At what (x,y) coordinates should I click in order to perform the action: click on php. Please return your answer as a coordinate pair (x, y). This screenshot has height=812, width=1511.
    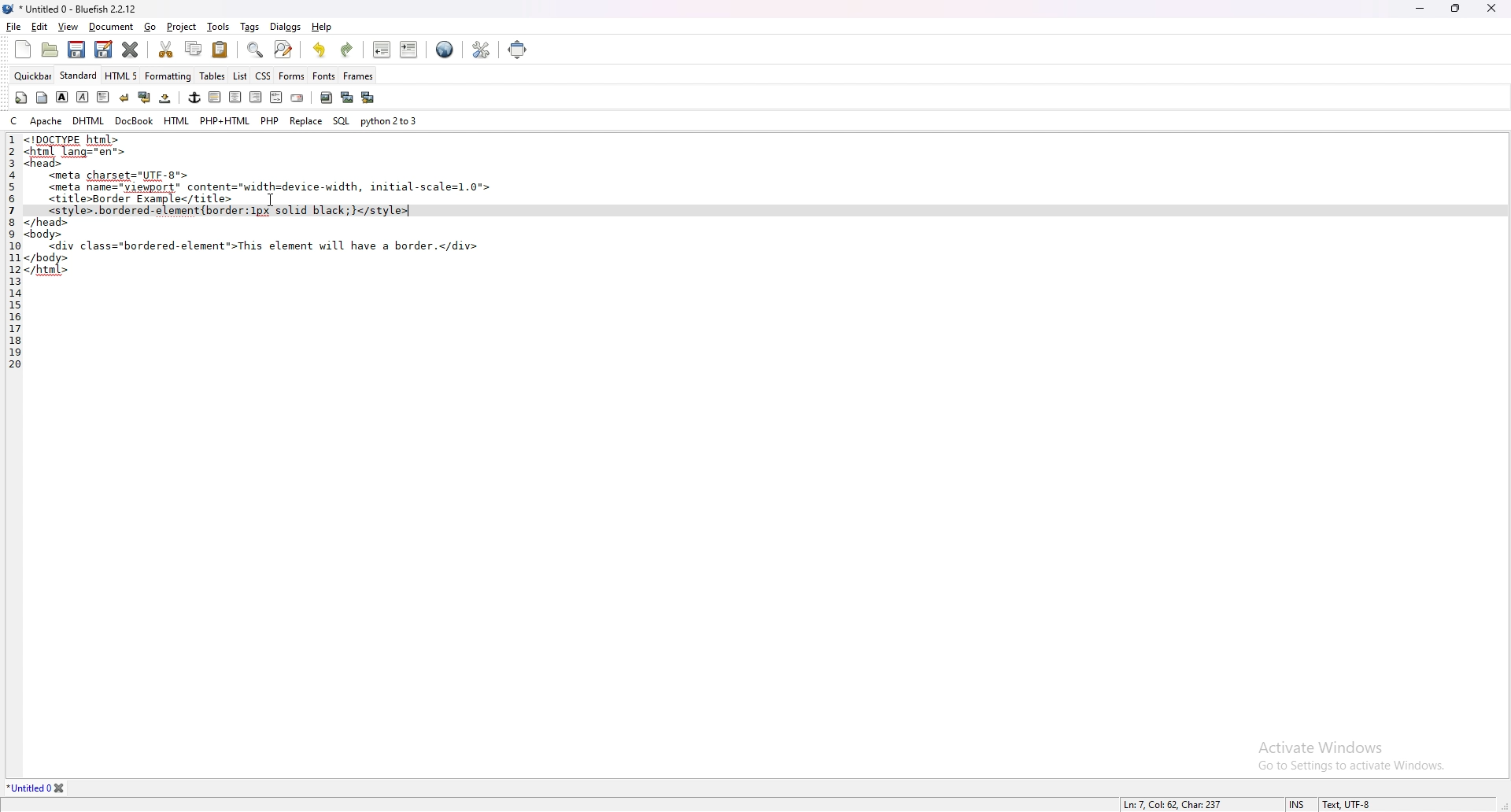
    Looking at the image, I should click on (269, 119).